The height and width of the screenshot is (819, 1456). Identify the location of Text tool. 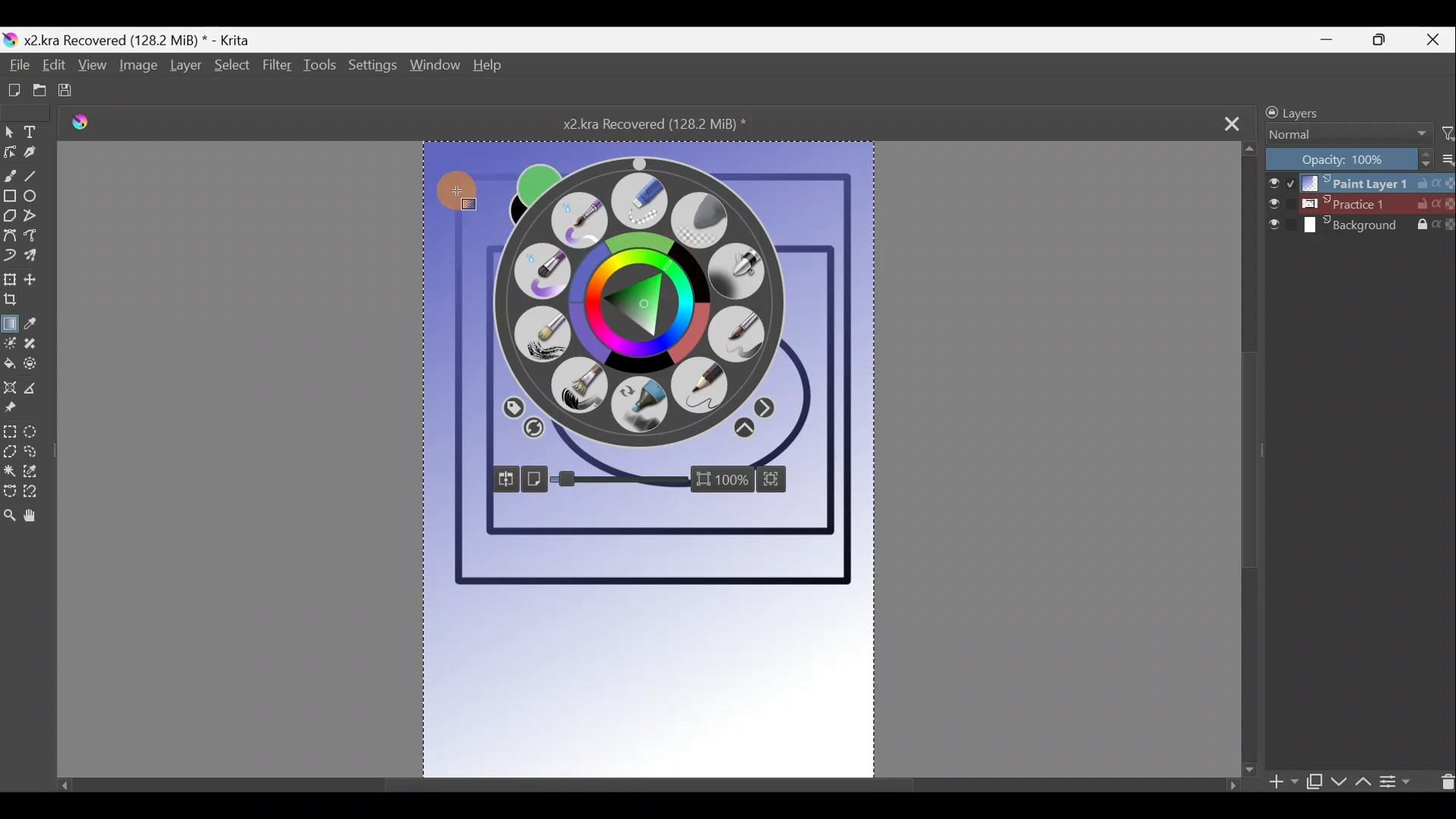
(35, 132).